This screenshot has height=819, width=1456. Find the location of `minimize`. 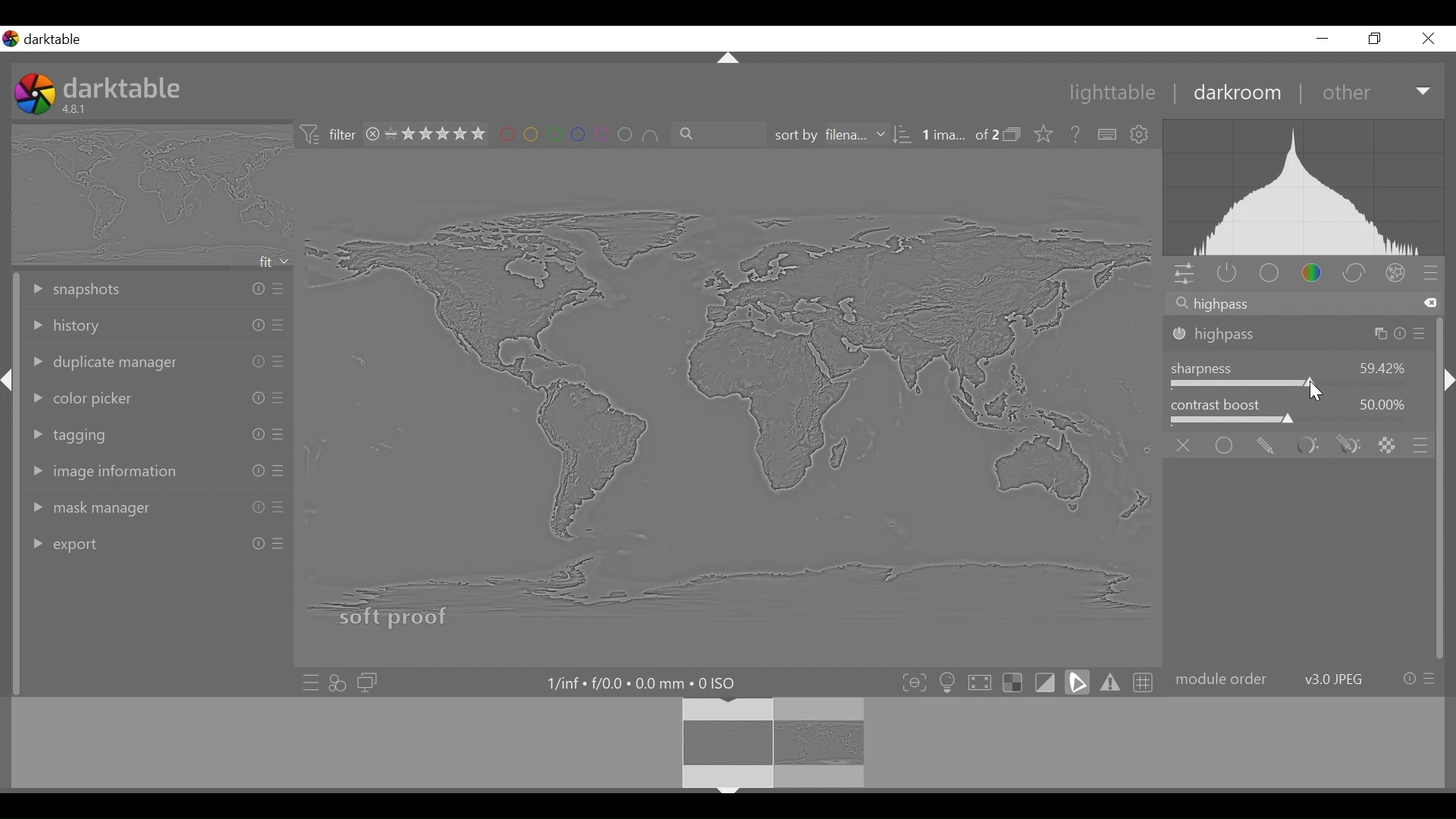

minimize is located at coordinates (1322, 38).